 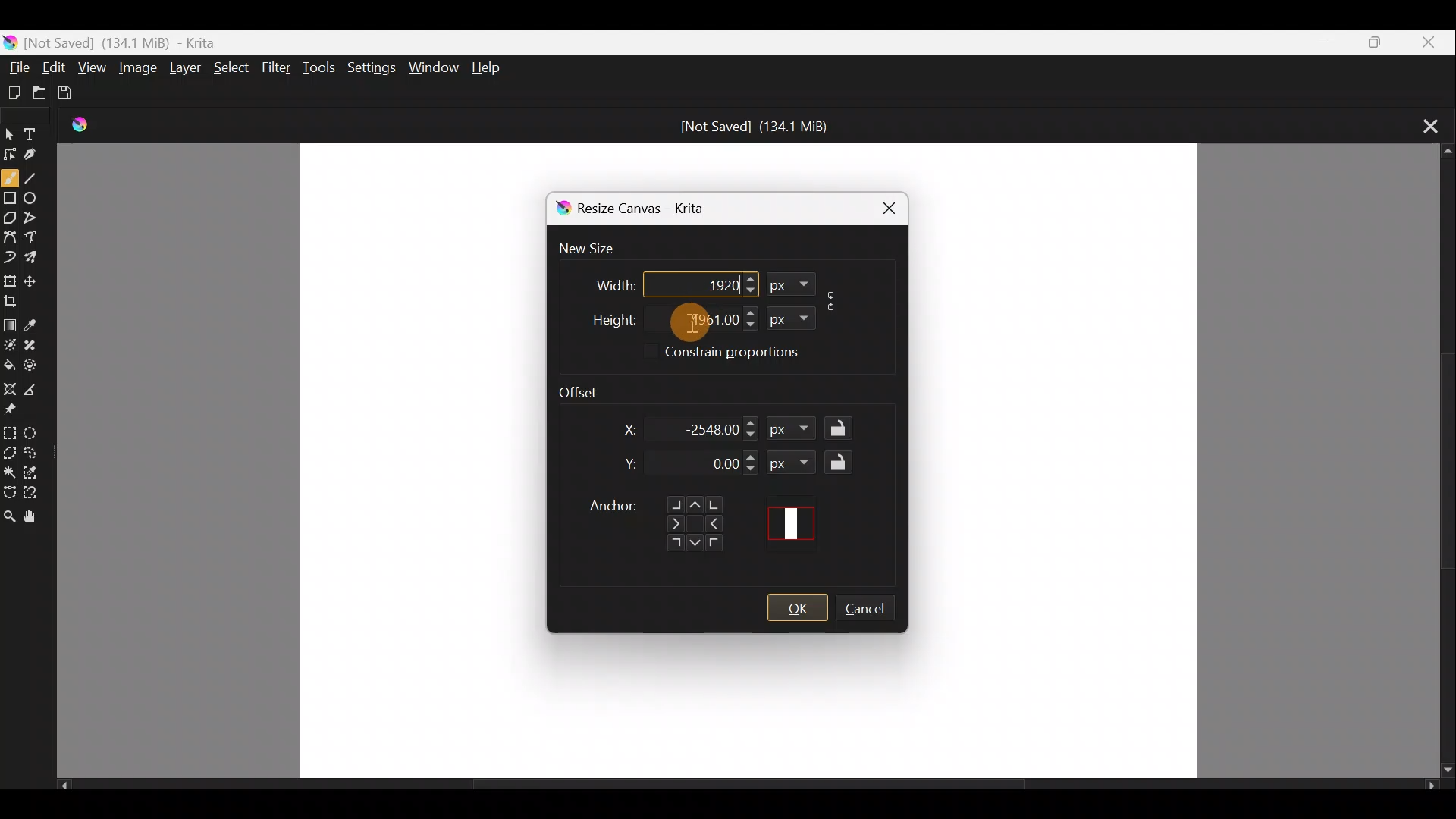 I want to click on Format, so click(x=795, y=431).